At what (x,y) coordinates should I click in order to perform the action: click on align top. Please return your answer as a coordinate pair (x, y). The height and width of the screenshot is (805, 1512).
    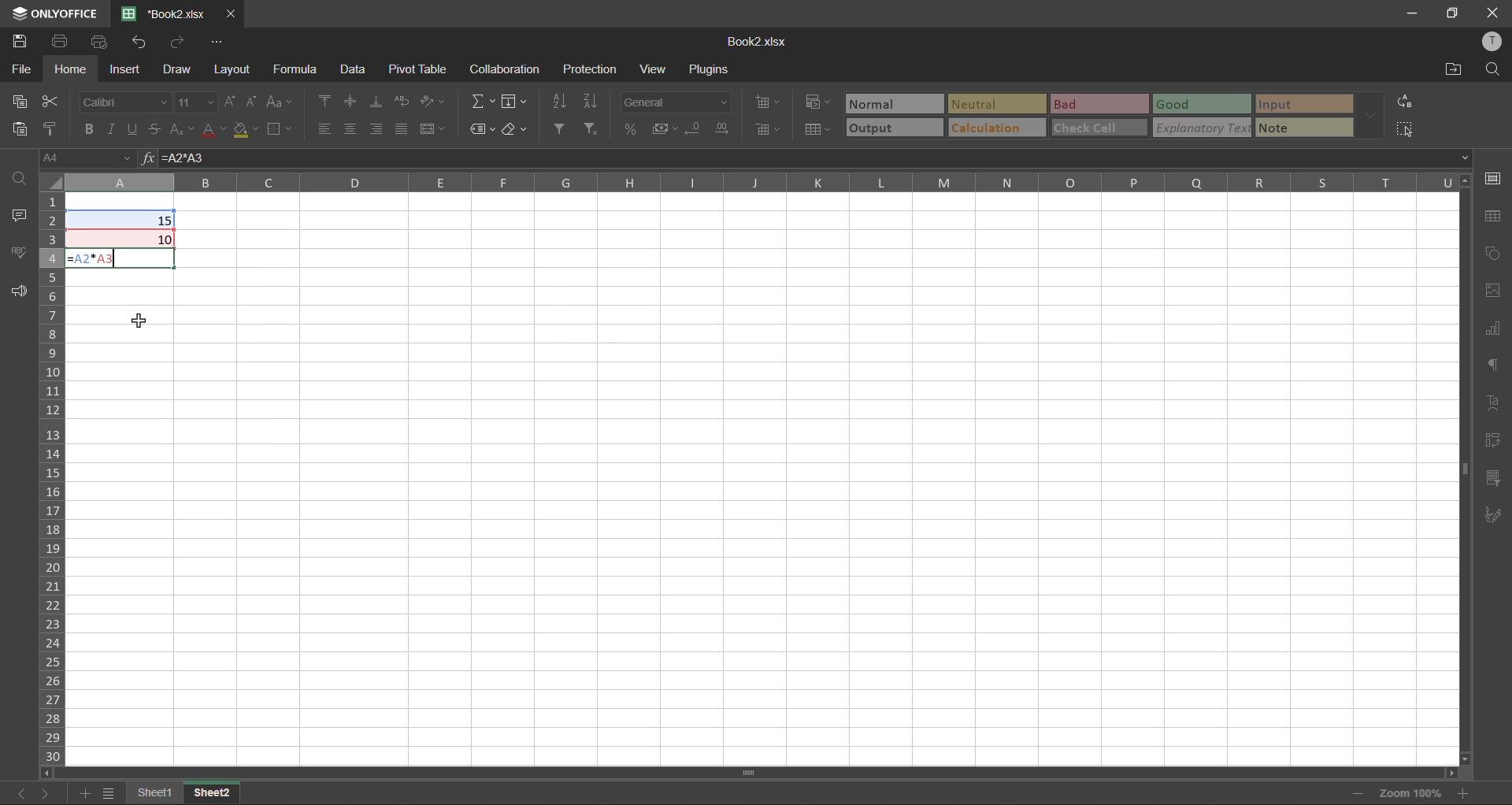
    Looking at the image, I should click on (325, 101).